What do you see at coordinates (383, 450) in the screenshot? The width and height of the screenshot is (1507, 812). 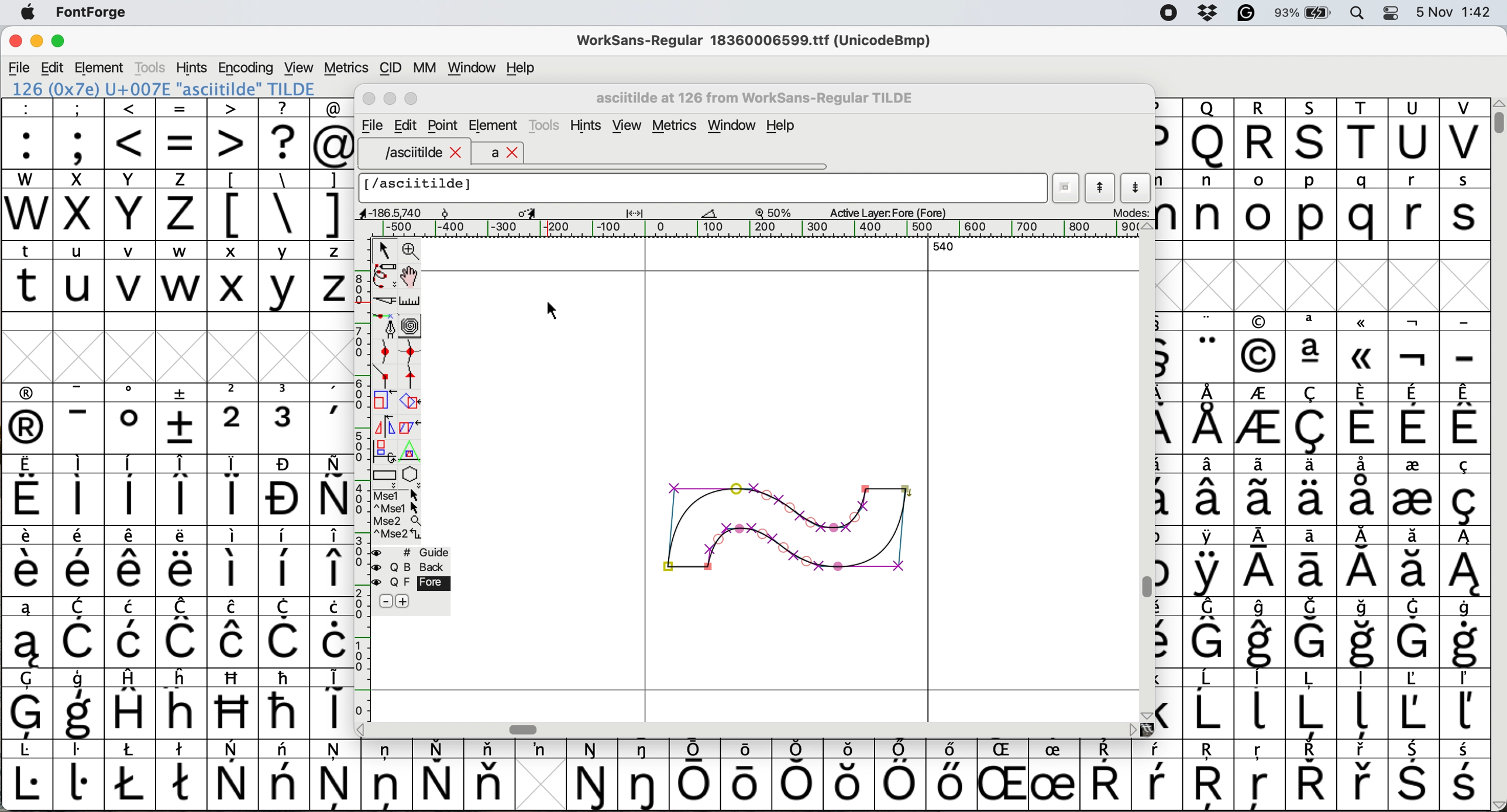 I see `rotat object in 3d and project back to plane` at bounding box center [383, 450].